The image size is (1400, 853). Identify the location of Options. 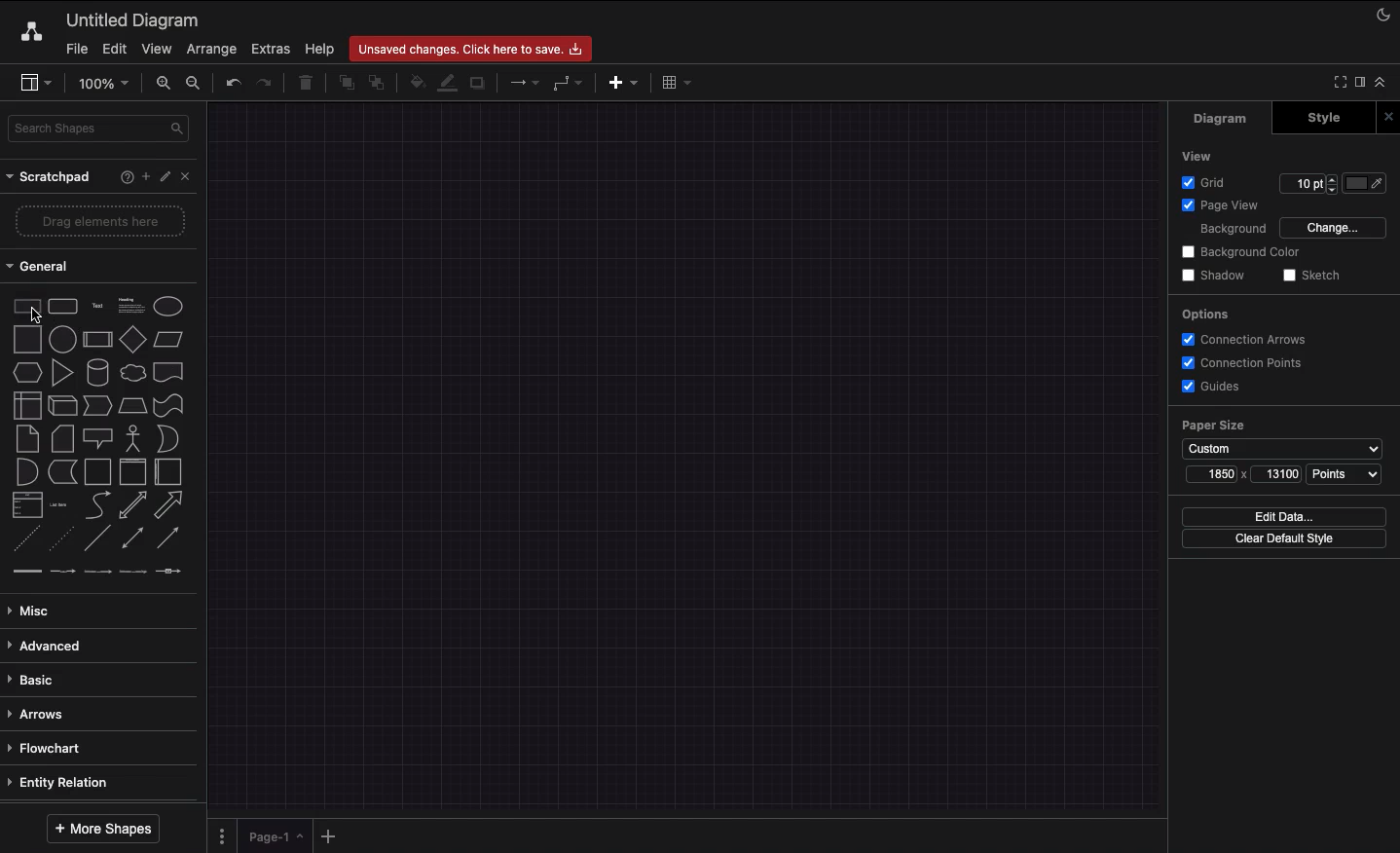
(1209, 314).